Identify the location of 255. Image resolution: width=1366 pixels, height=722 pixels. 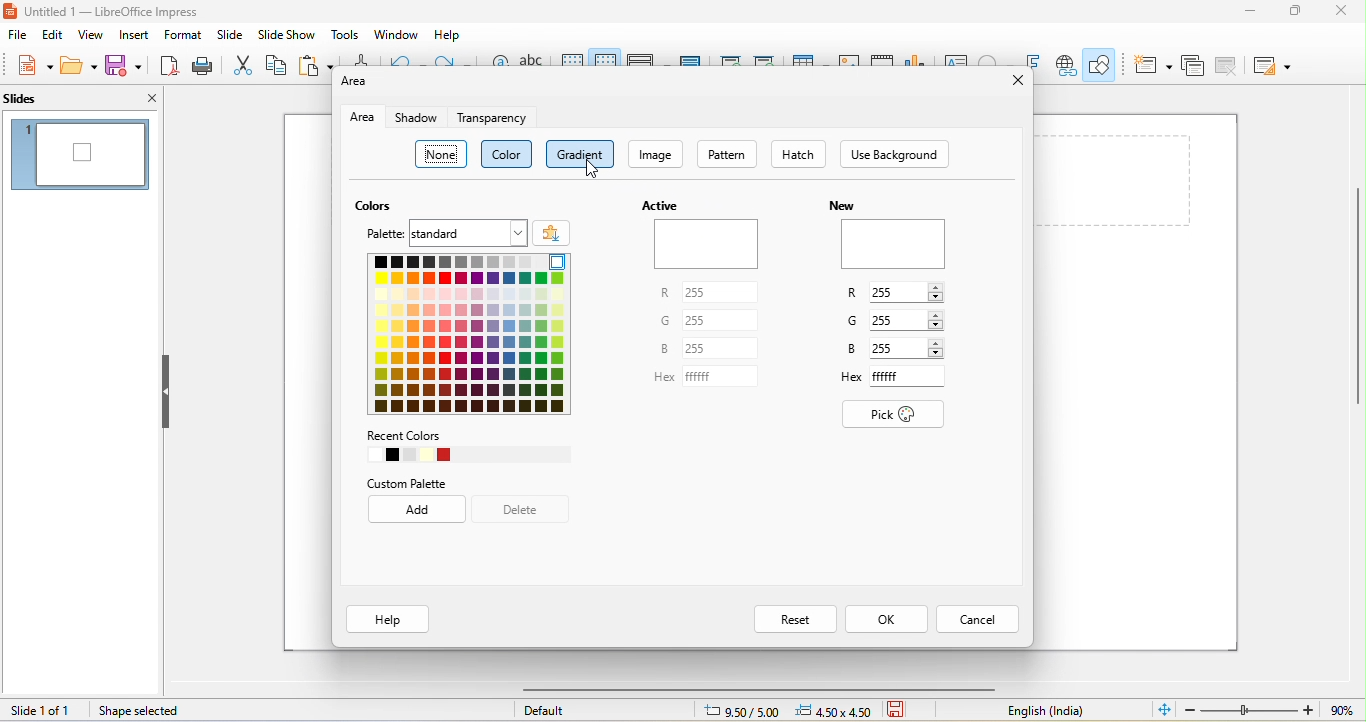
(899, 321).